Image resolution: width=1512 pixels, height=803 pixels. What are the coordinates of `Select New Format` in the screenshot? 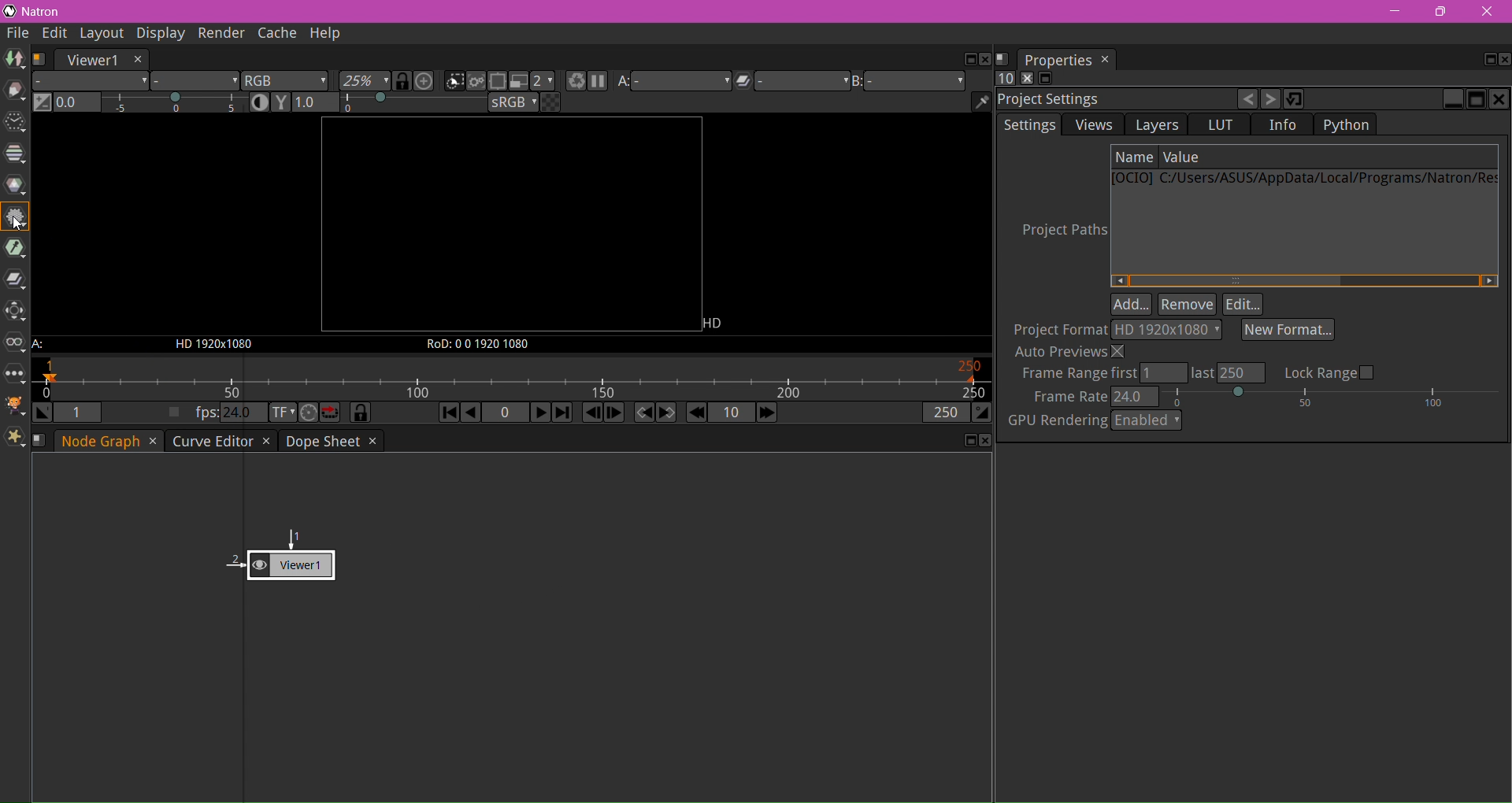 It's located at (1288, 329).